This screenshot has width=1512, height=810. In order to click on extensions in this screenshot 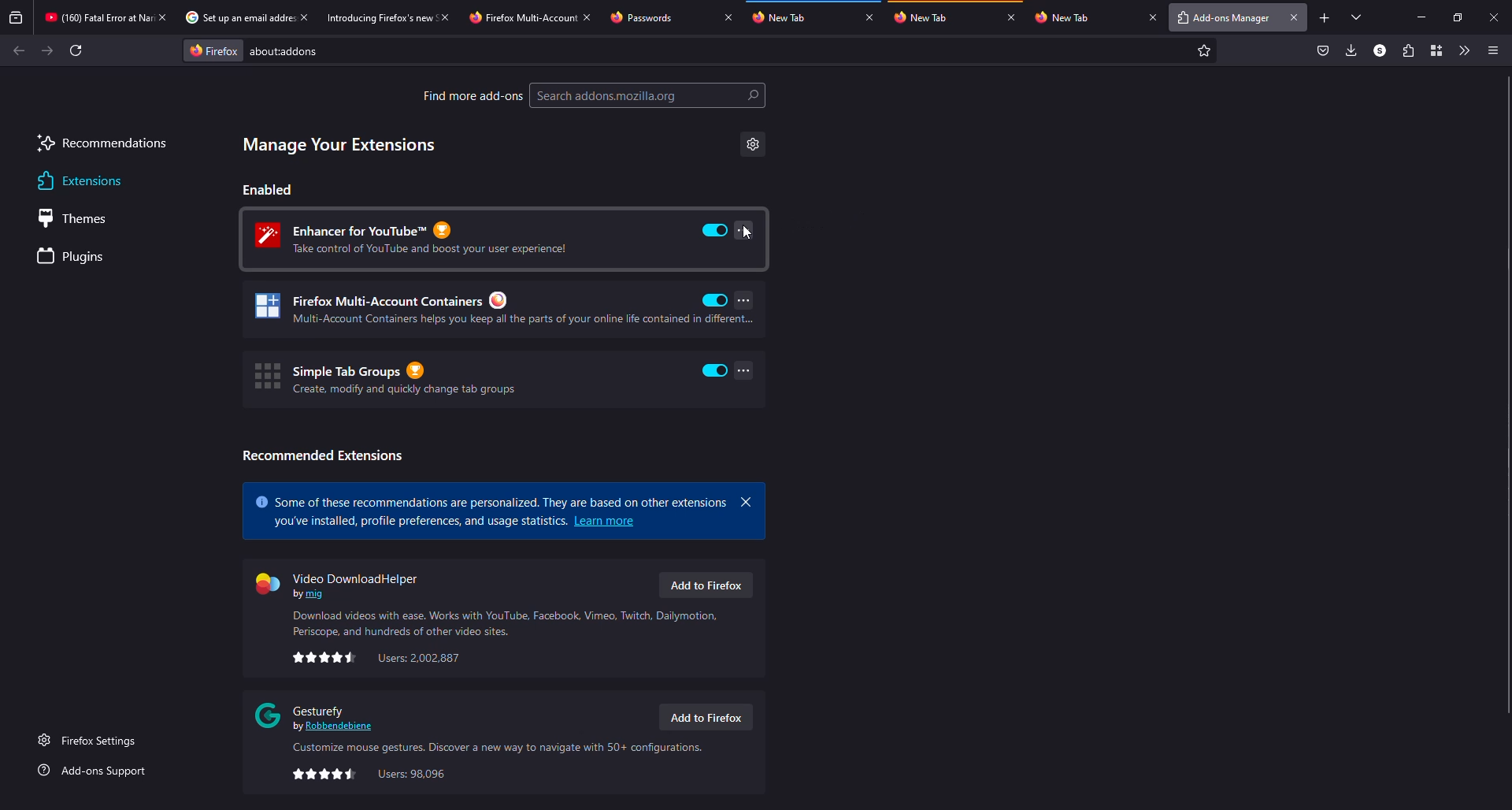, I will do `click(1406, 50)`.